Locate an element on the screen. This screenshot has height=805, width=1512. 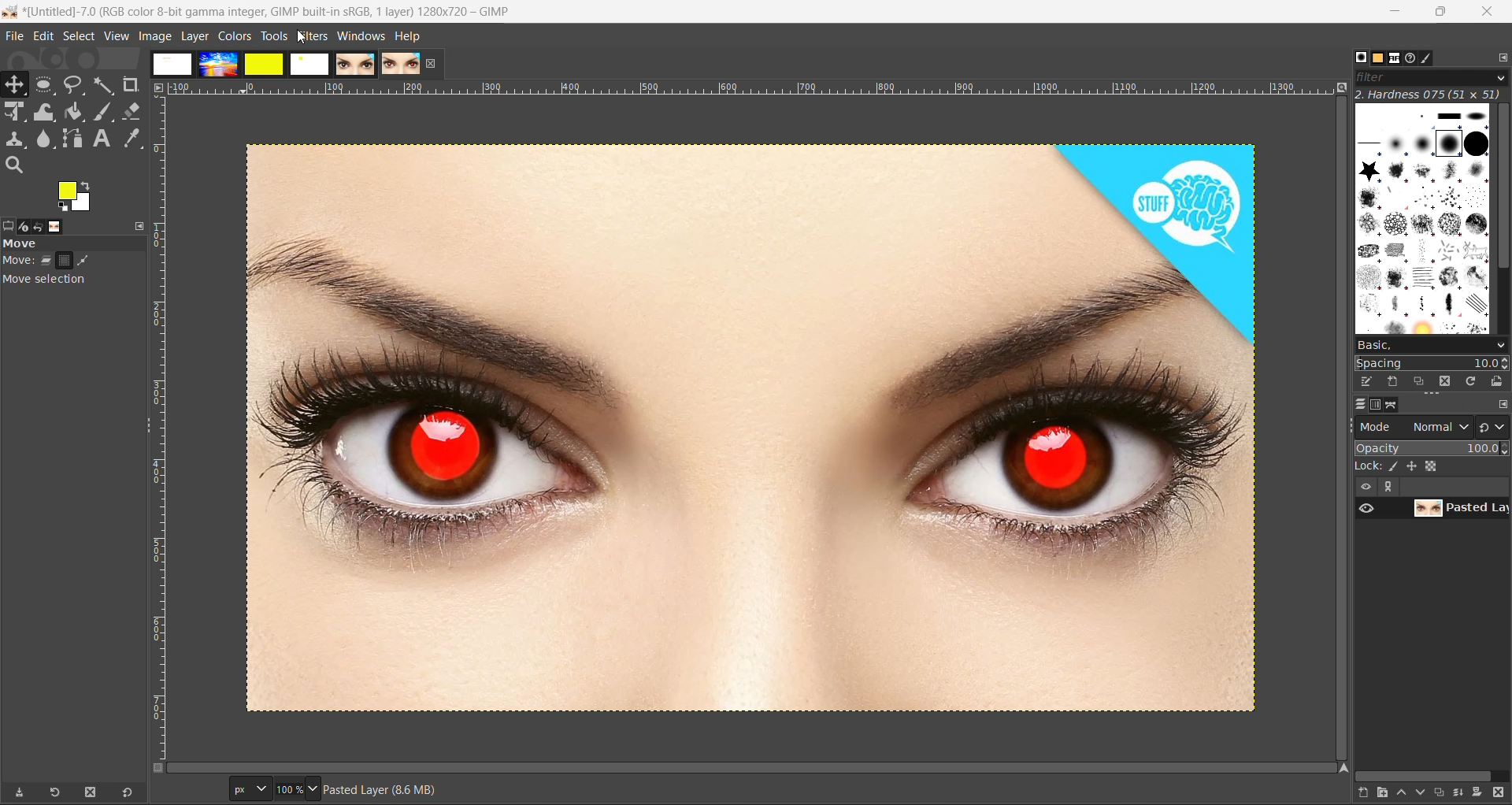
raise this layer is located at coordinates (1397, 793).